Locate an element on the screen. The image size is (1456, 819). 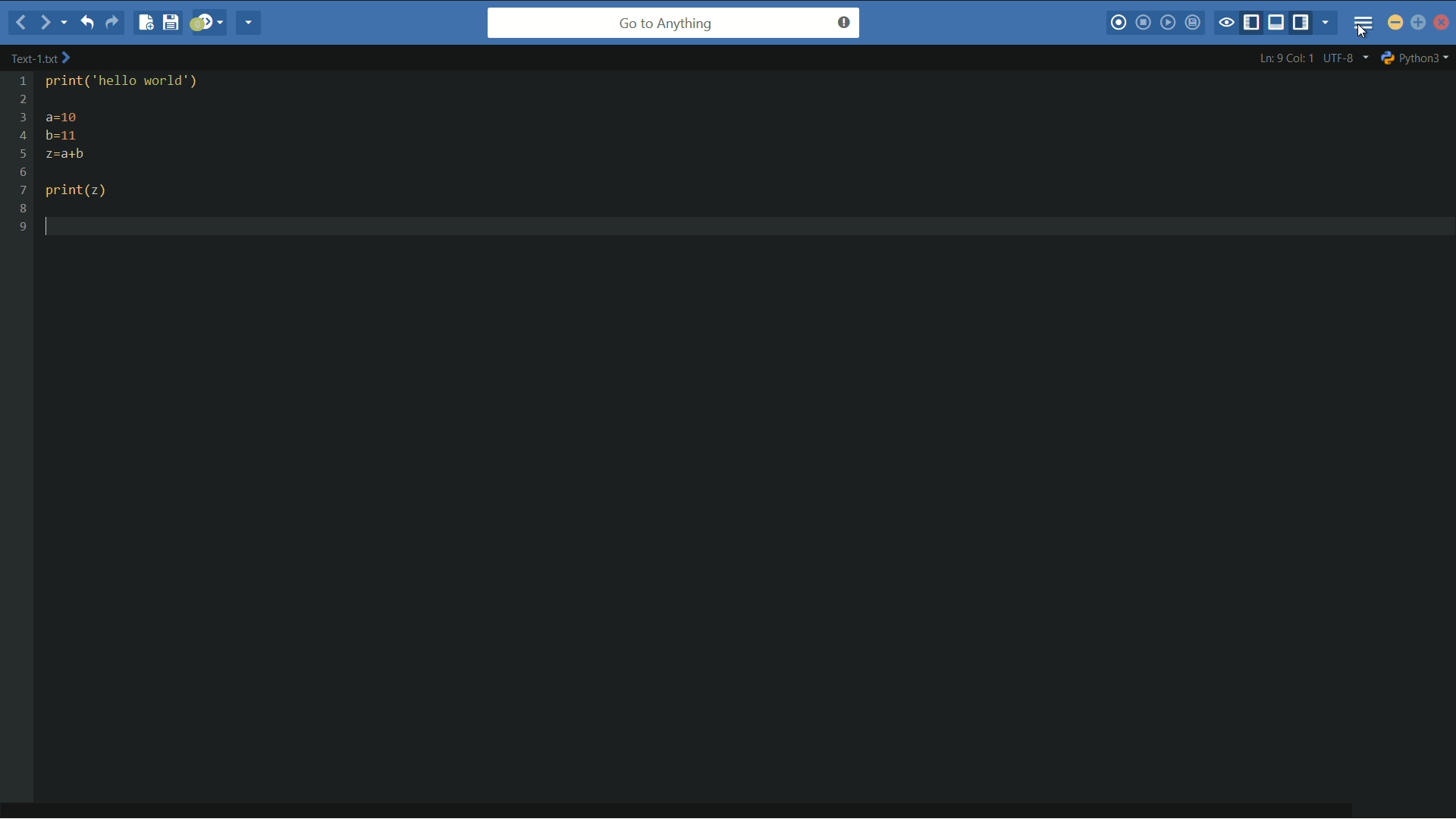
maximize is located at coordinates (1419, 24).